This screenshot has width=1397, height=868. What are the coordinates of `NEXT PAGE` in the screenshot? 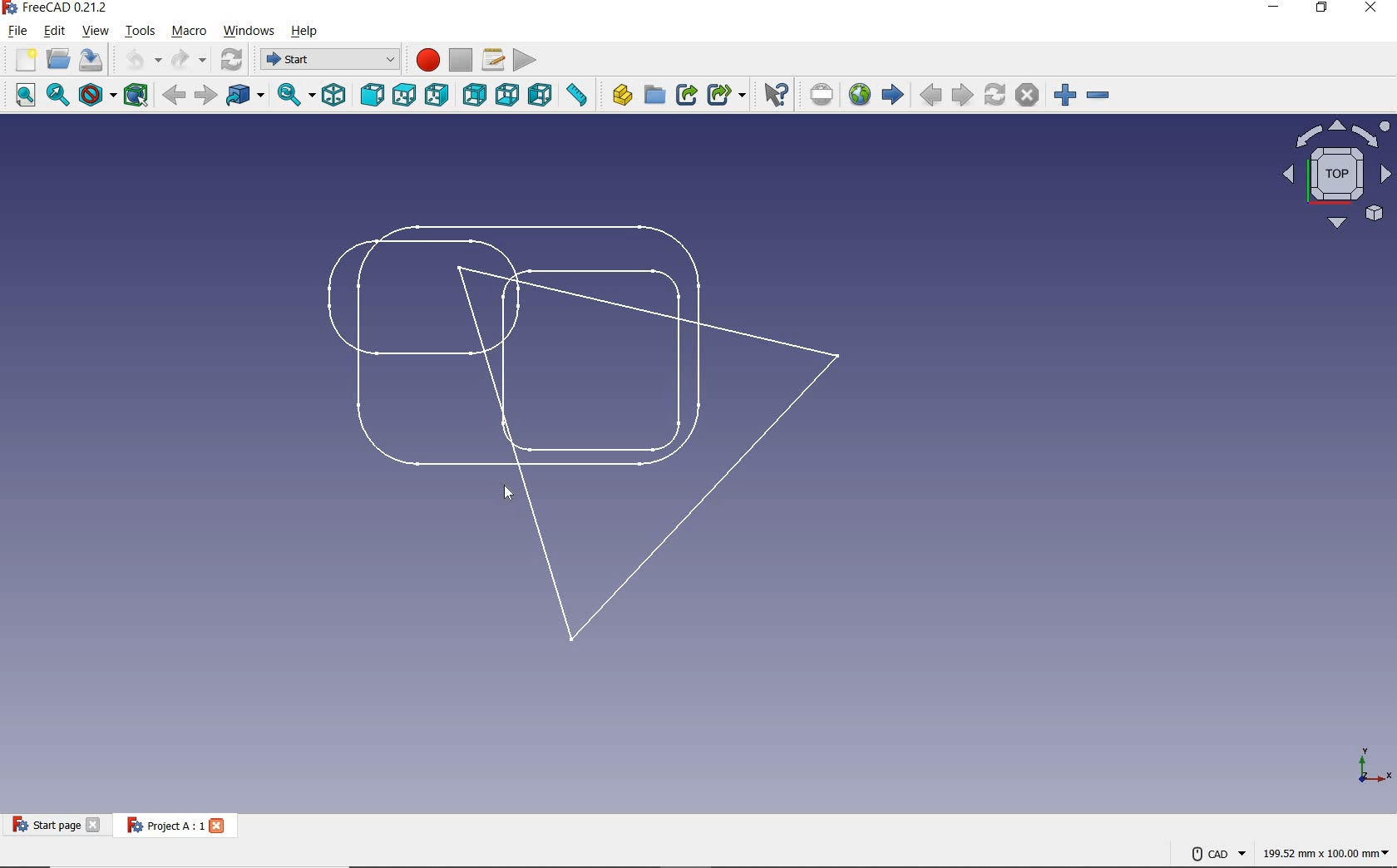 It's located at (963, 94).